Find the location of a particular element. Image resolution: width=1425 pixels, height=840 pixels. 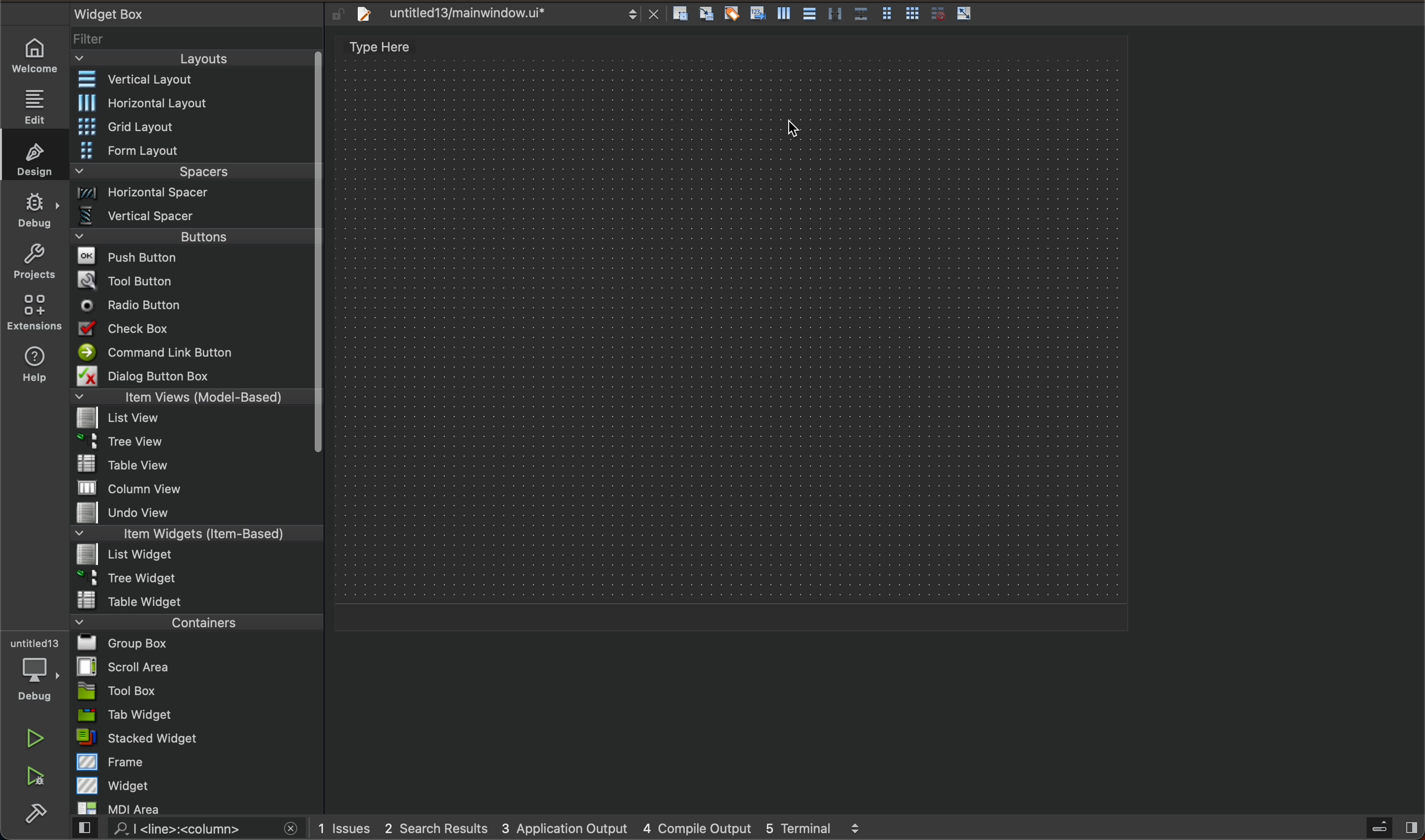

tool box is located at coordinates (192, 691).